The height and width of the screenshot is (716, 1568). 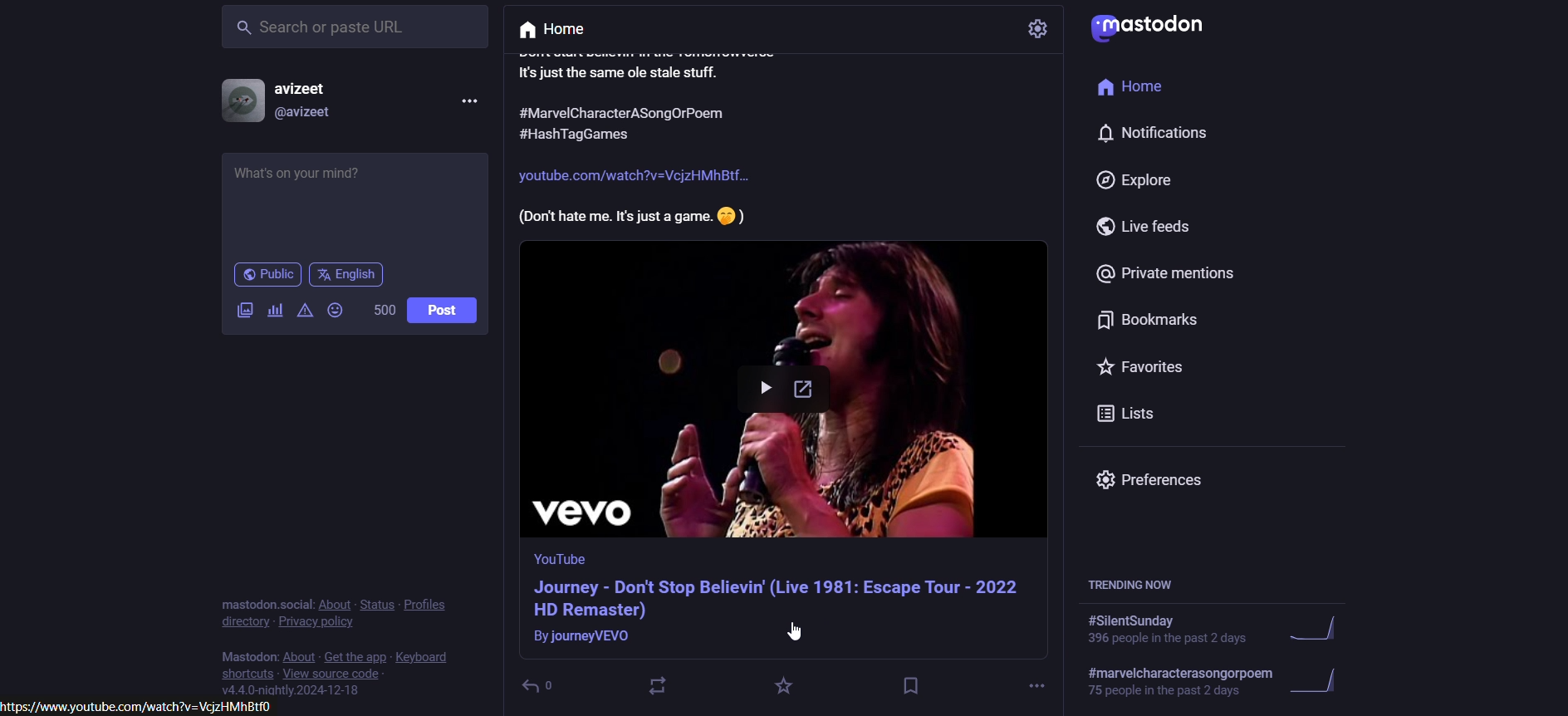 I want to click on text, so click(x=246, y=658).